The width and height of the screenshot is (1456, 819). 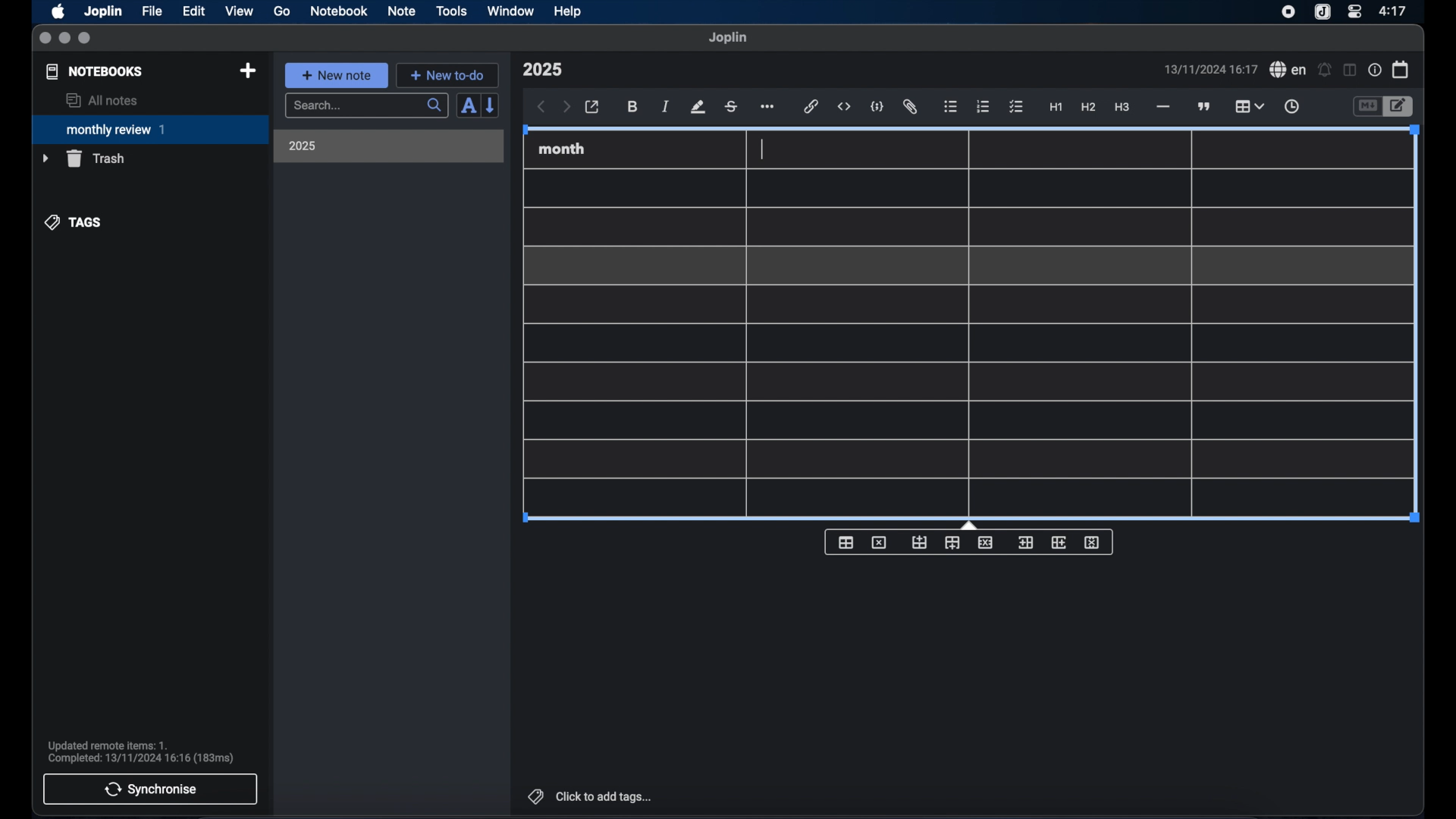 I want to click on code, so click(x=877, y=108).